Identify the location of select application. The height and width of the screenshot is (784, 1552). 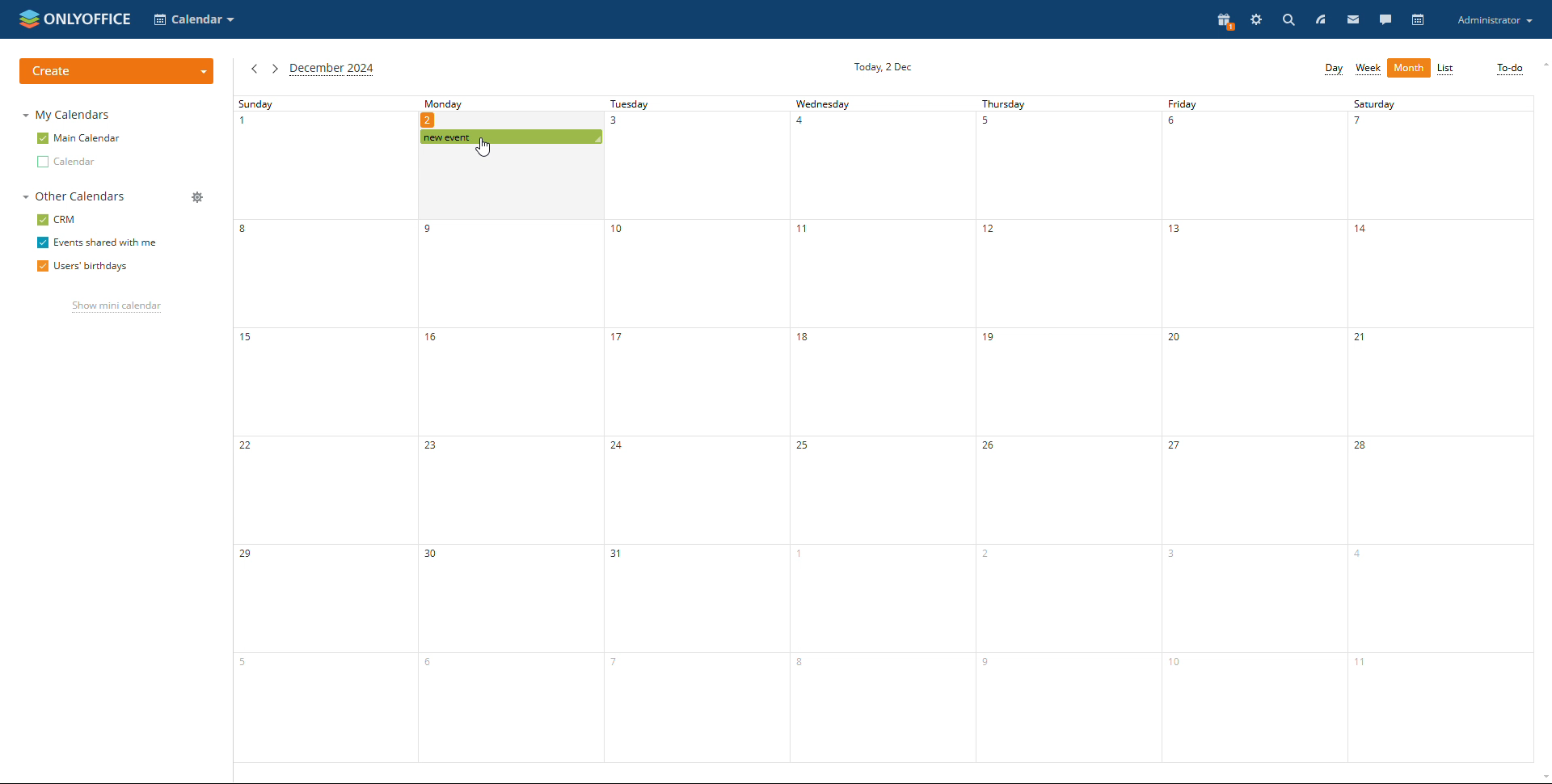
(194, 20).